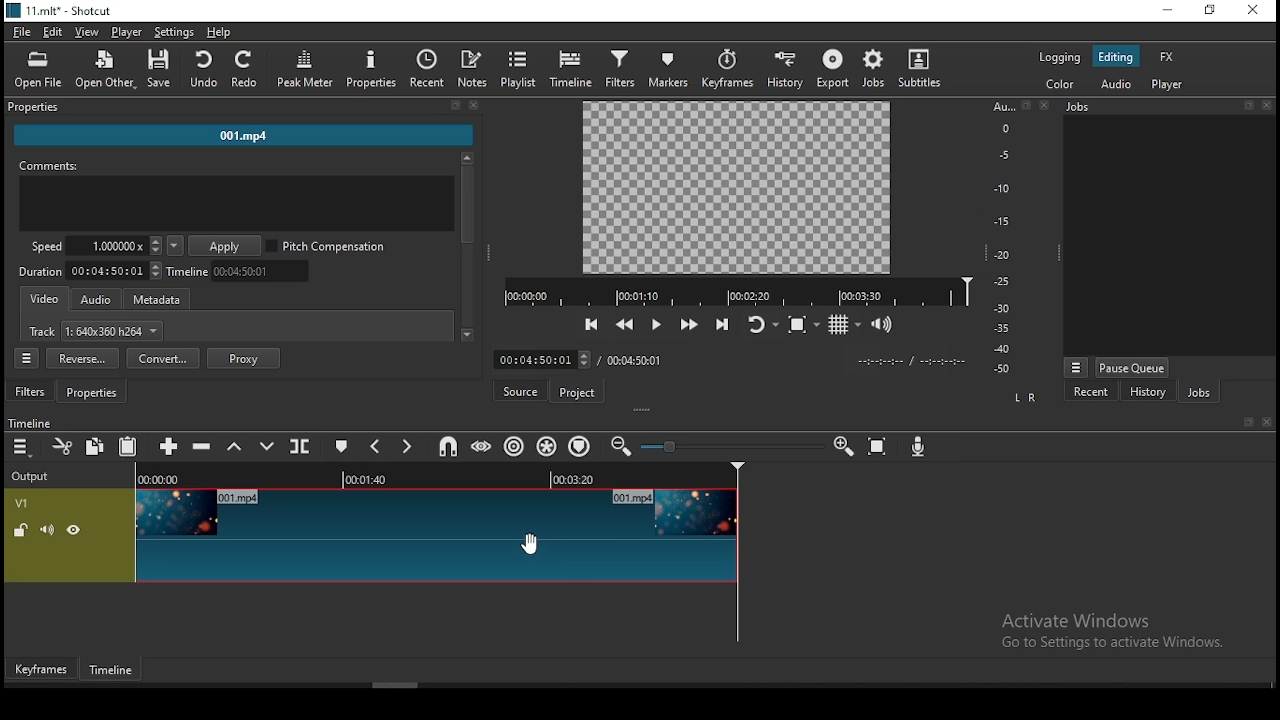 The height and width of the screenshot is (720, 1280). What do you see at coordinates (371, 68) in the screenshot?
I see `properties` at bounding box center [371, 68].